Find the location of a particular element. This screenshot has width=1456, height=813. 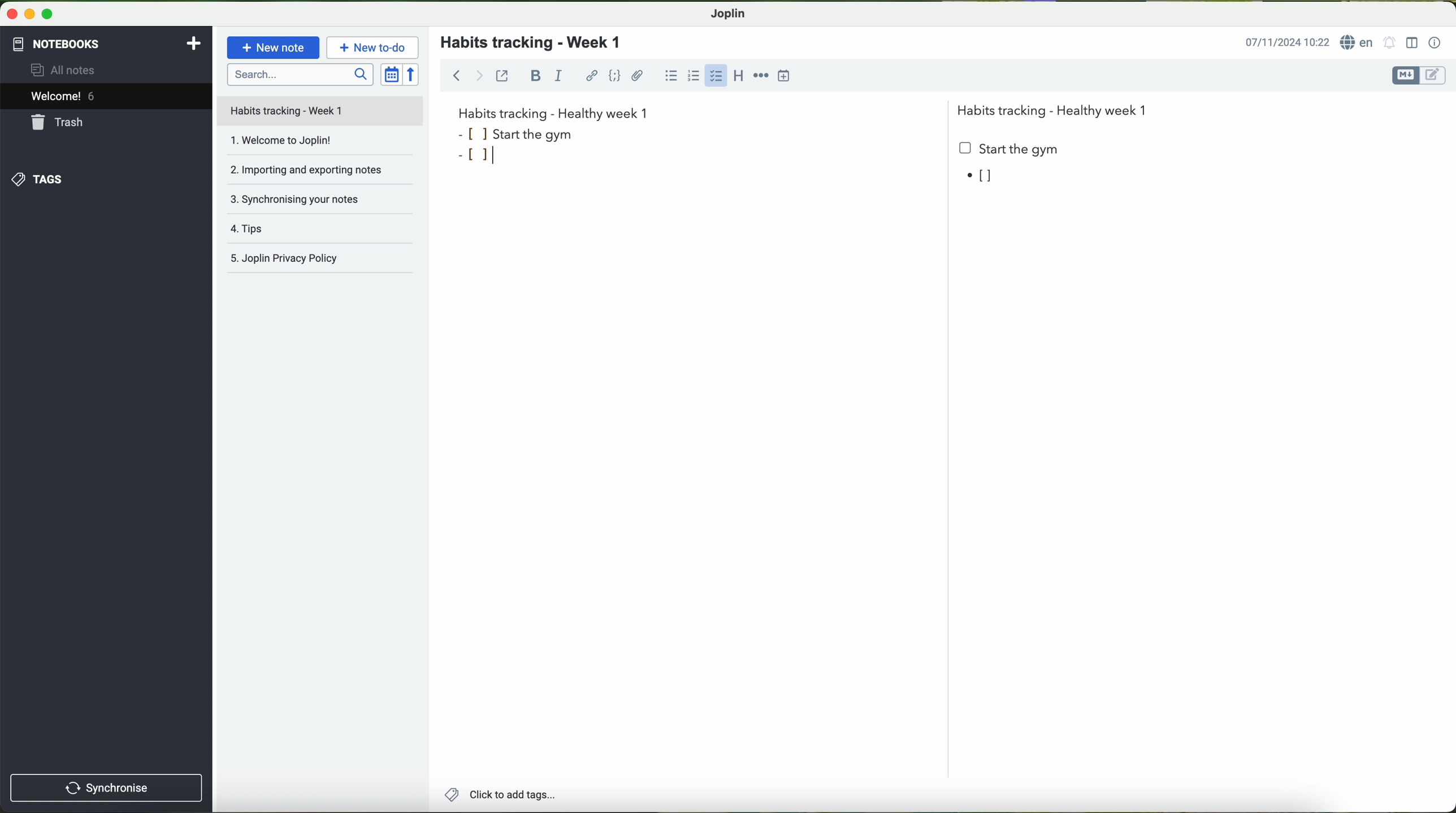

heading is located at coordinates (740, 79).